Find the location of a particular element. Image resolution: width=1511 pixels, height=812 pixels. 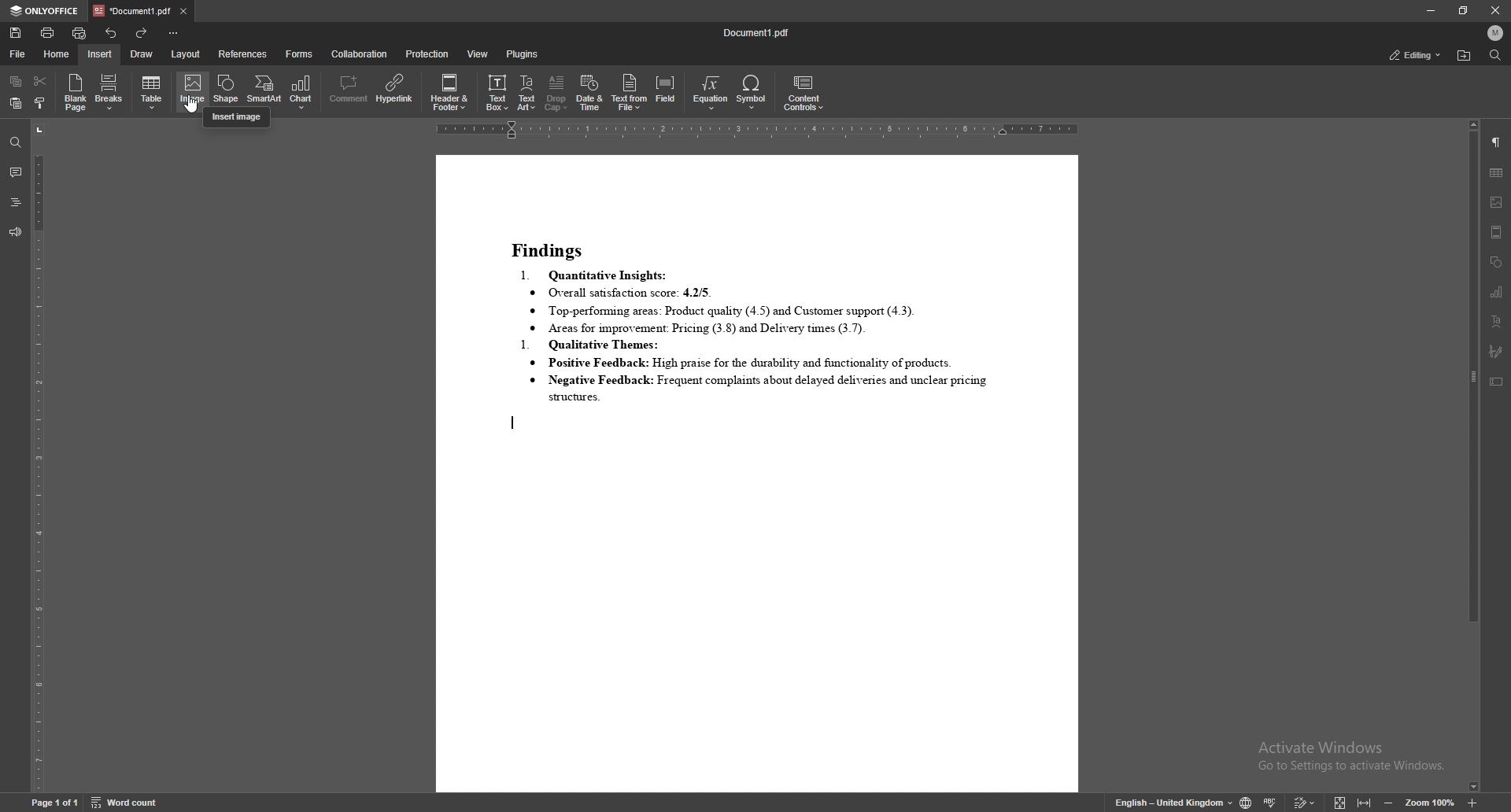

smart art is located at coordinates (264, 88).